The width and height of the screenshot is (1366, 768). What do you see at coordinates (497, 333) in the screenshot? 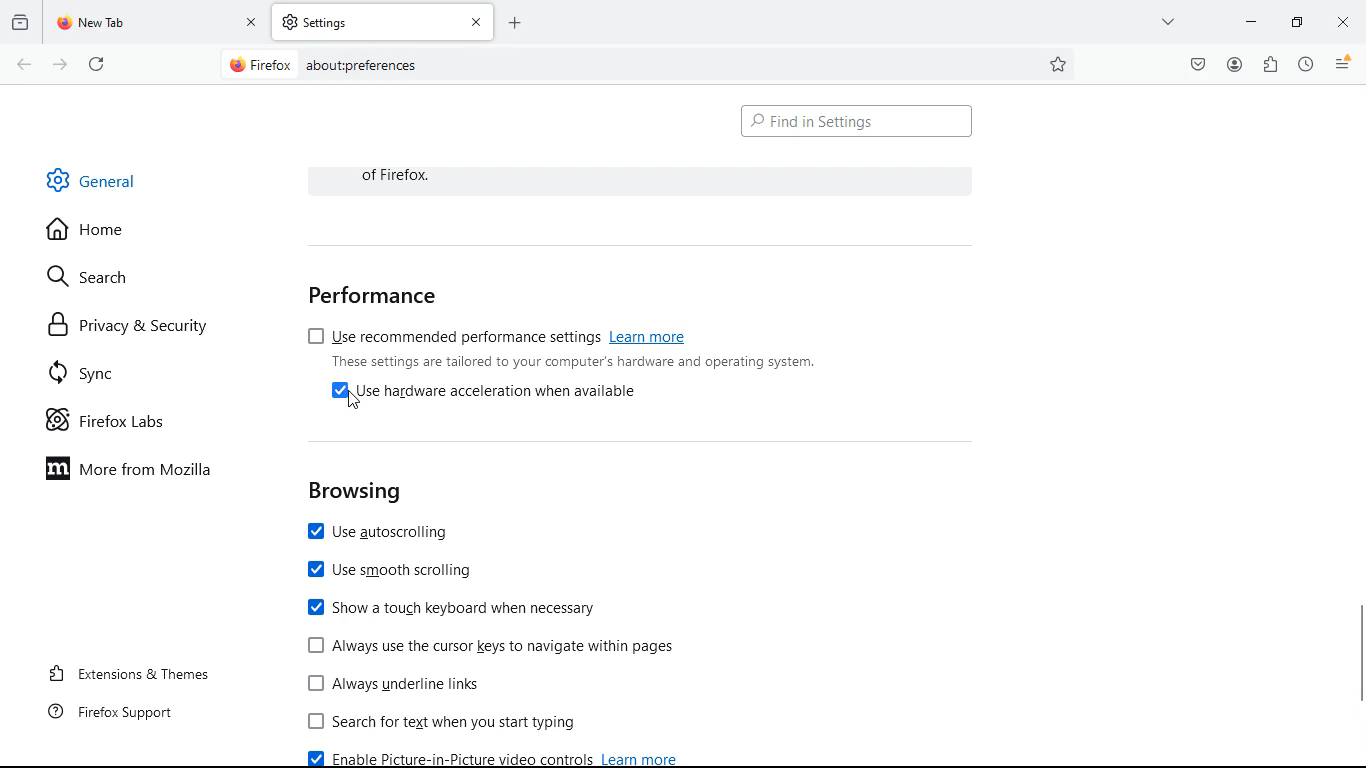
I see `use recommended performance settings` at bounding box center [497, 333].